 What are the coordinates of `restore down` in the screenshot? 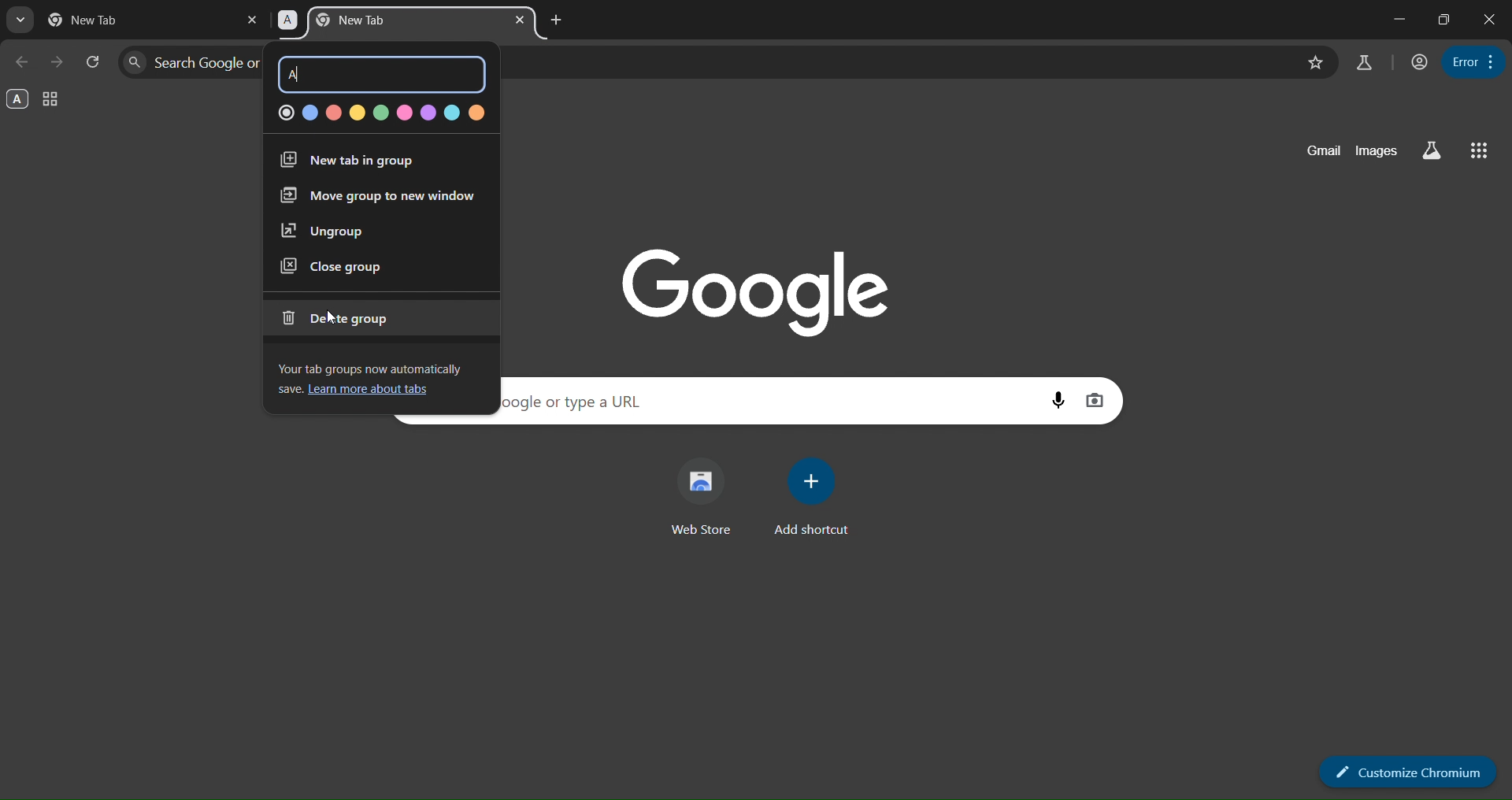 It's located at (1444, 20).